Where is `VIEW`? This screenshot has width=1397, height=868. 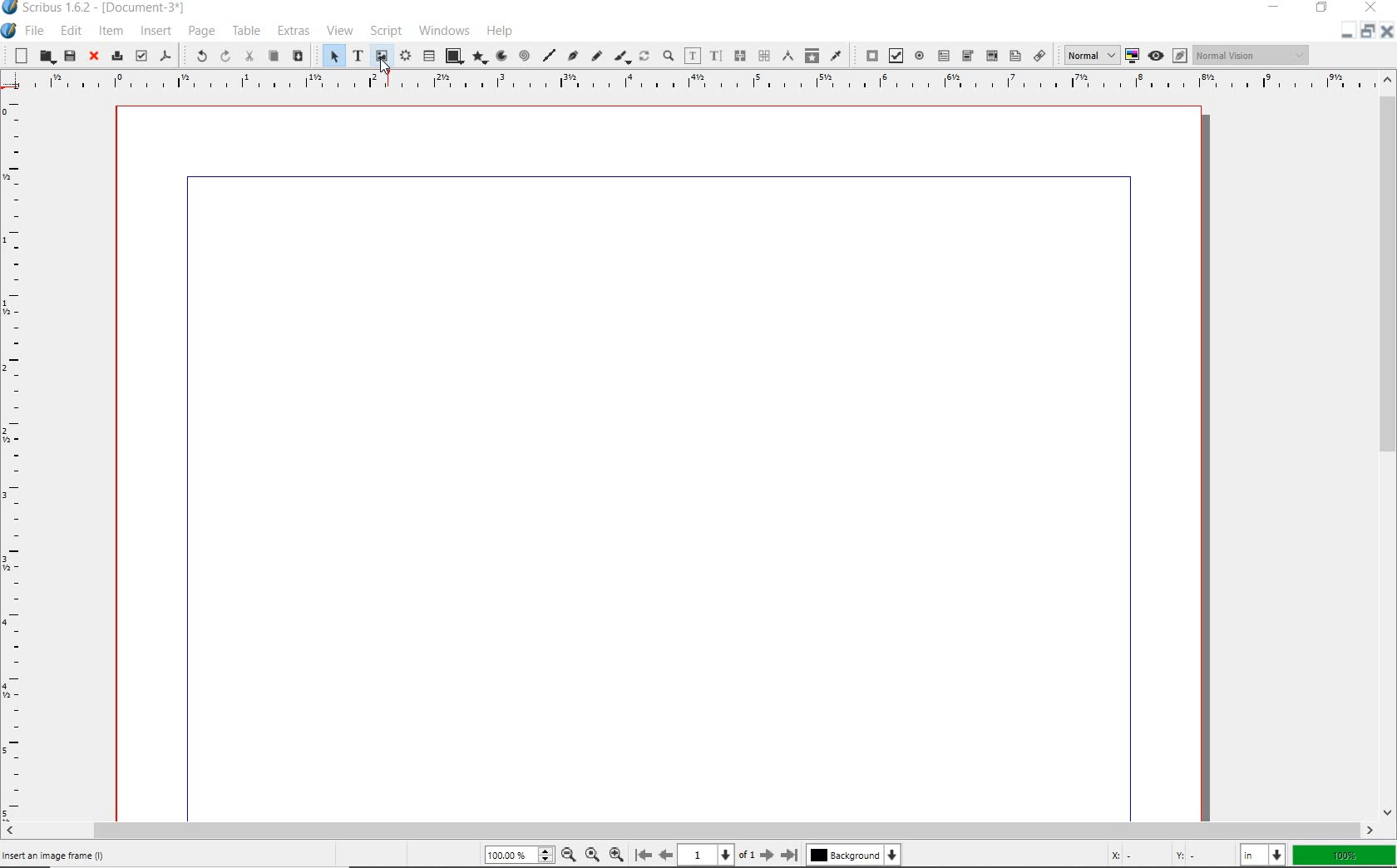 VIEW is located at coordinates (341, 29).